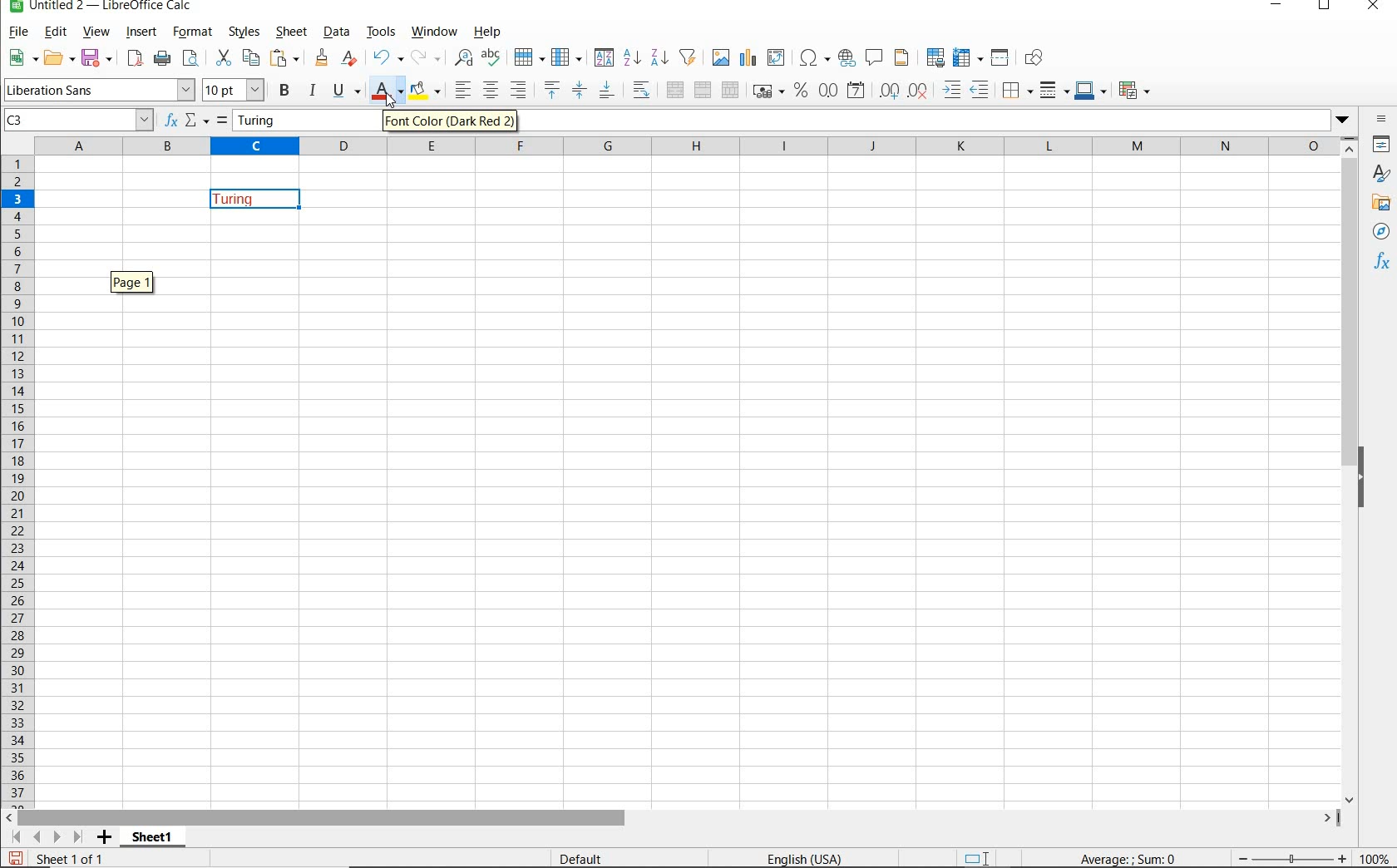 The height and width of the screenshot is (868, 1397). Describe the element at coordinates (322, 60) in the screenshot. I see `CLONE FORMATTING` at that location.